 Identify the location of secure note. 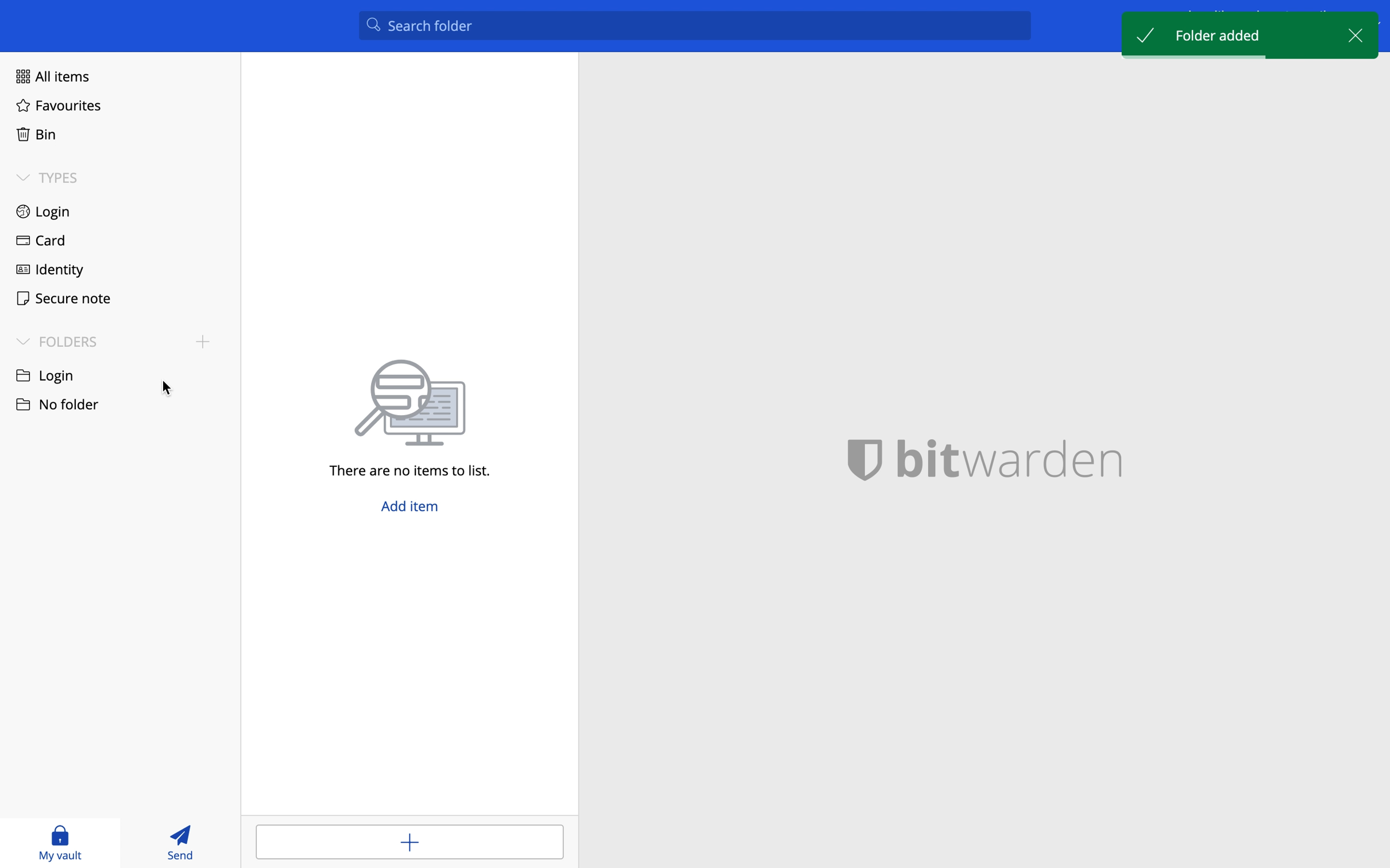
(59, 297).